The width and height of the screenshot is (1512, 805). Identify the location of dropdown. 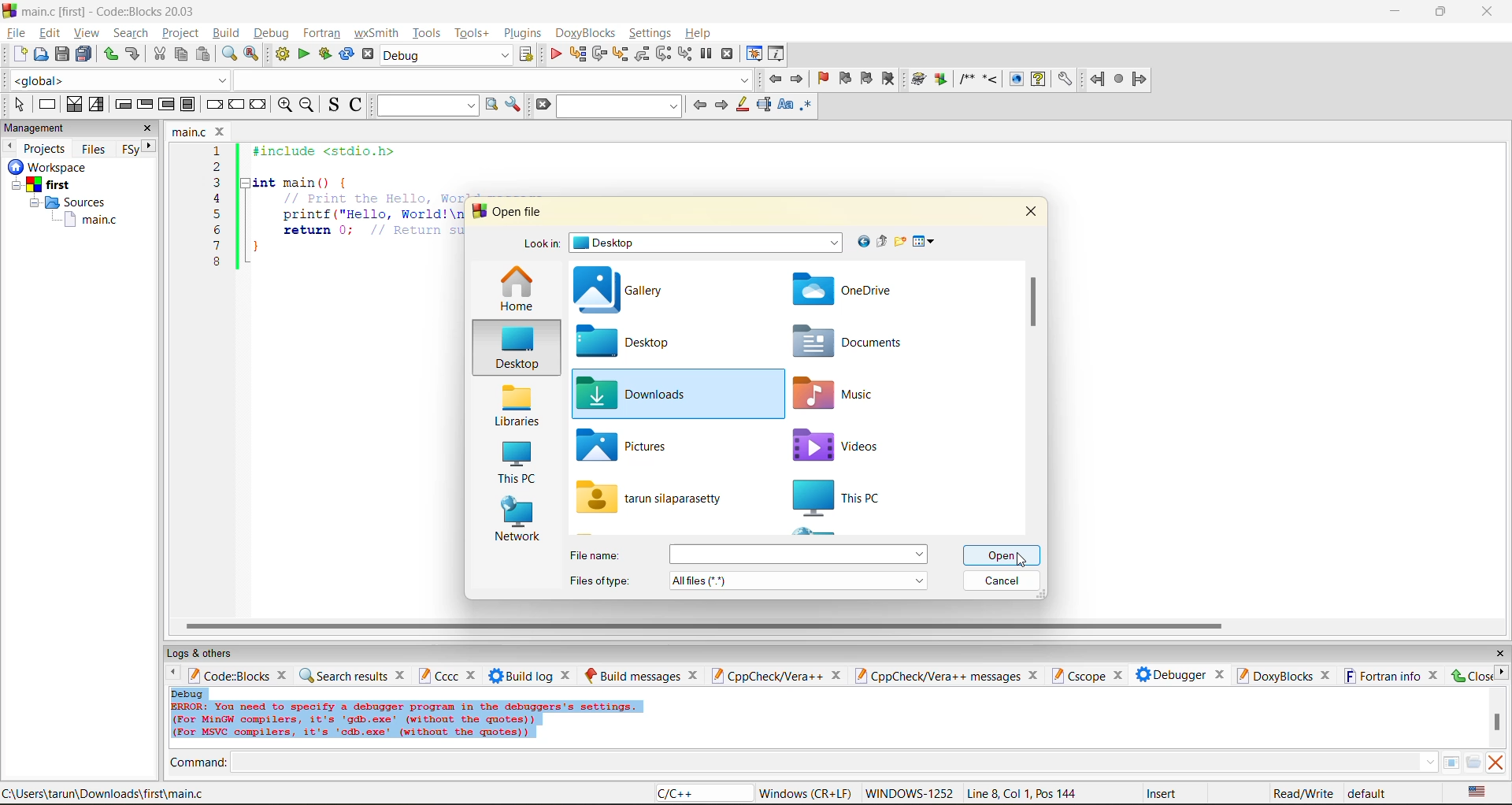
(491, 80).